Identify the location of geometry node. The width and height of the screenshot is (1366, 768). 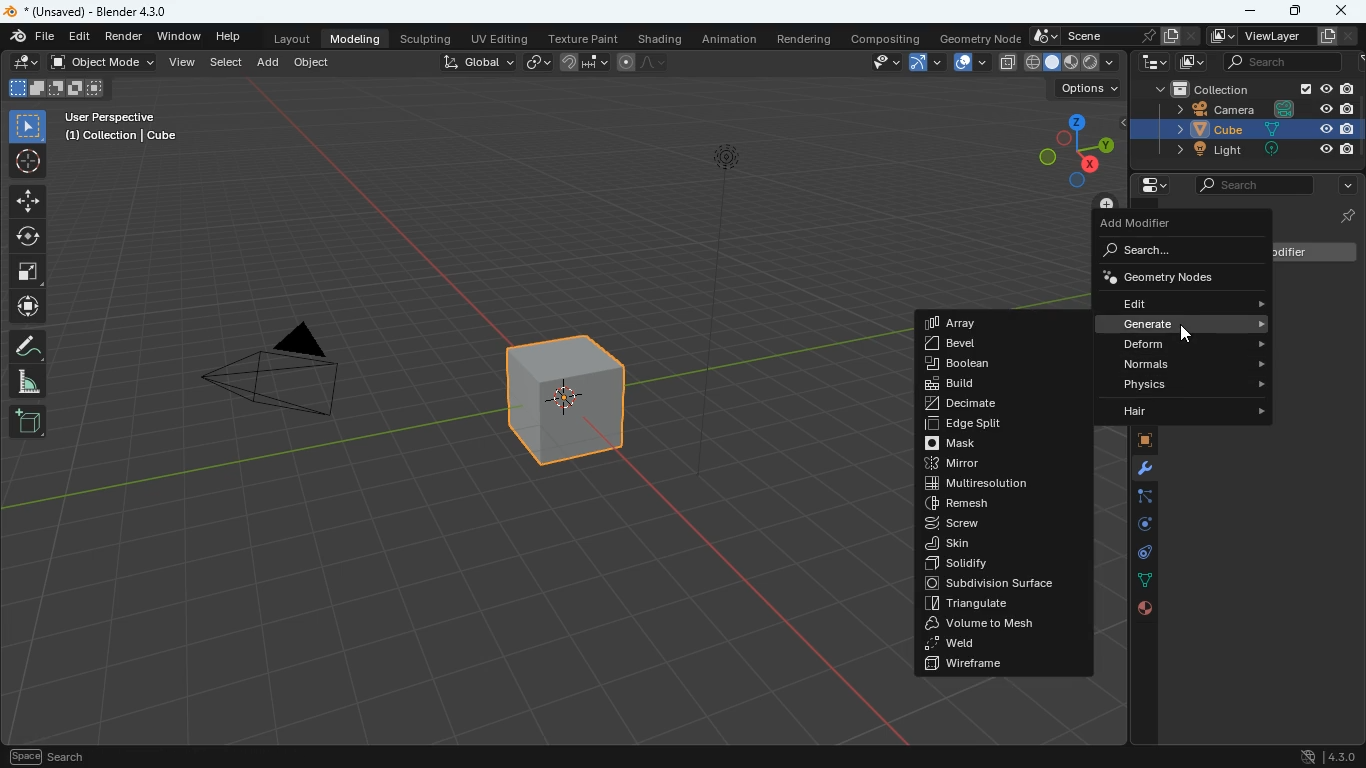
(974, 37).